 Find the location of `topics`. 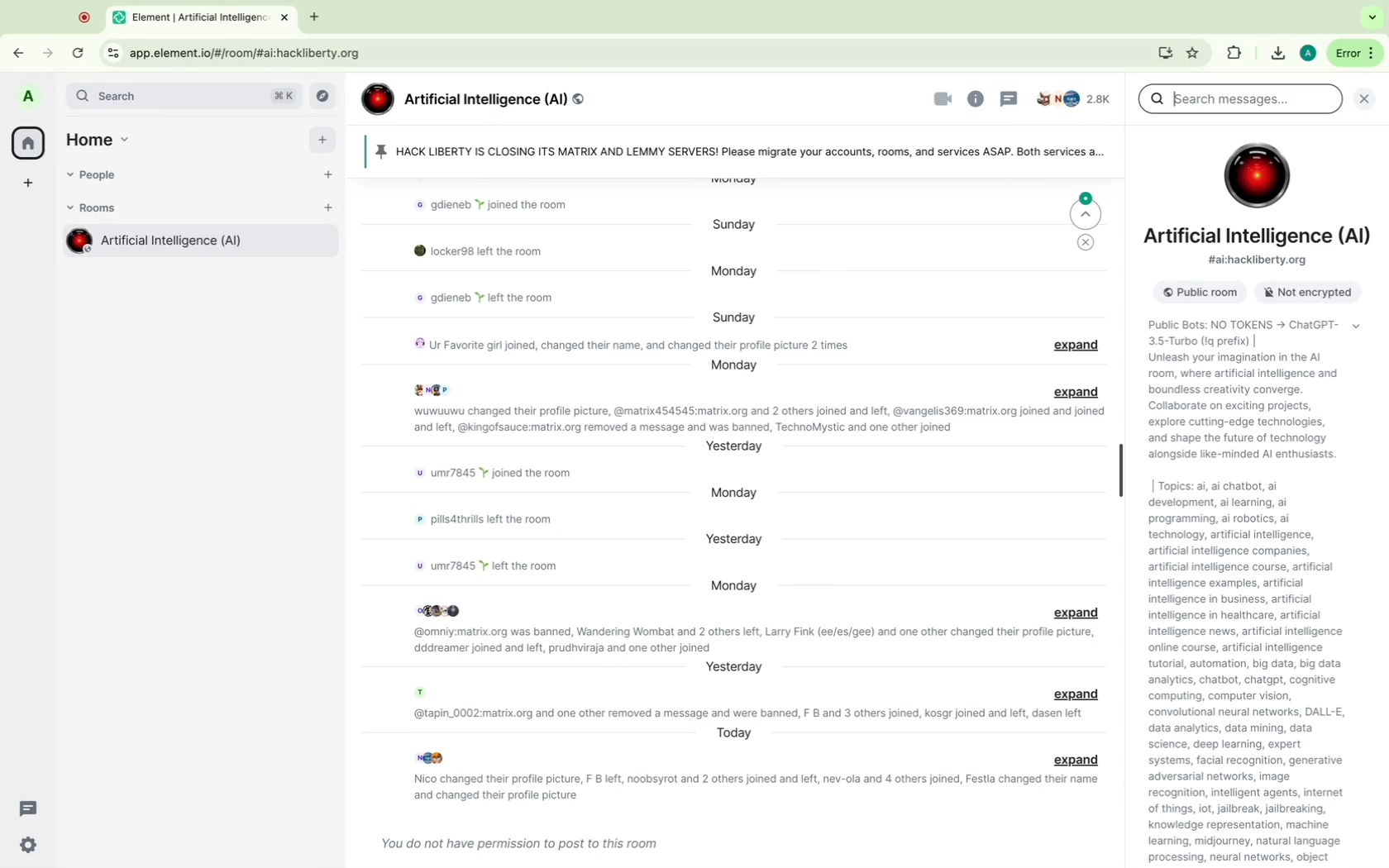

topics is located at coordinates (1264, 673).